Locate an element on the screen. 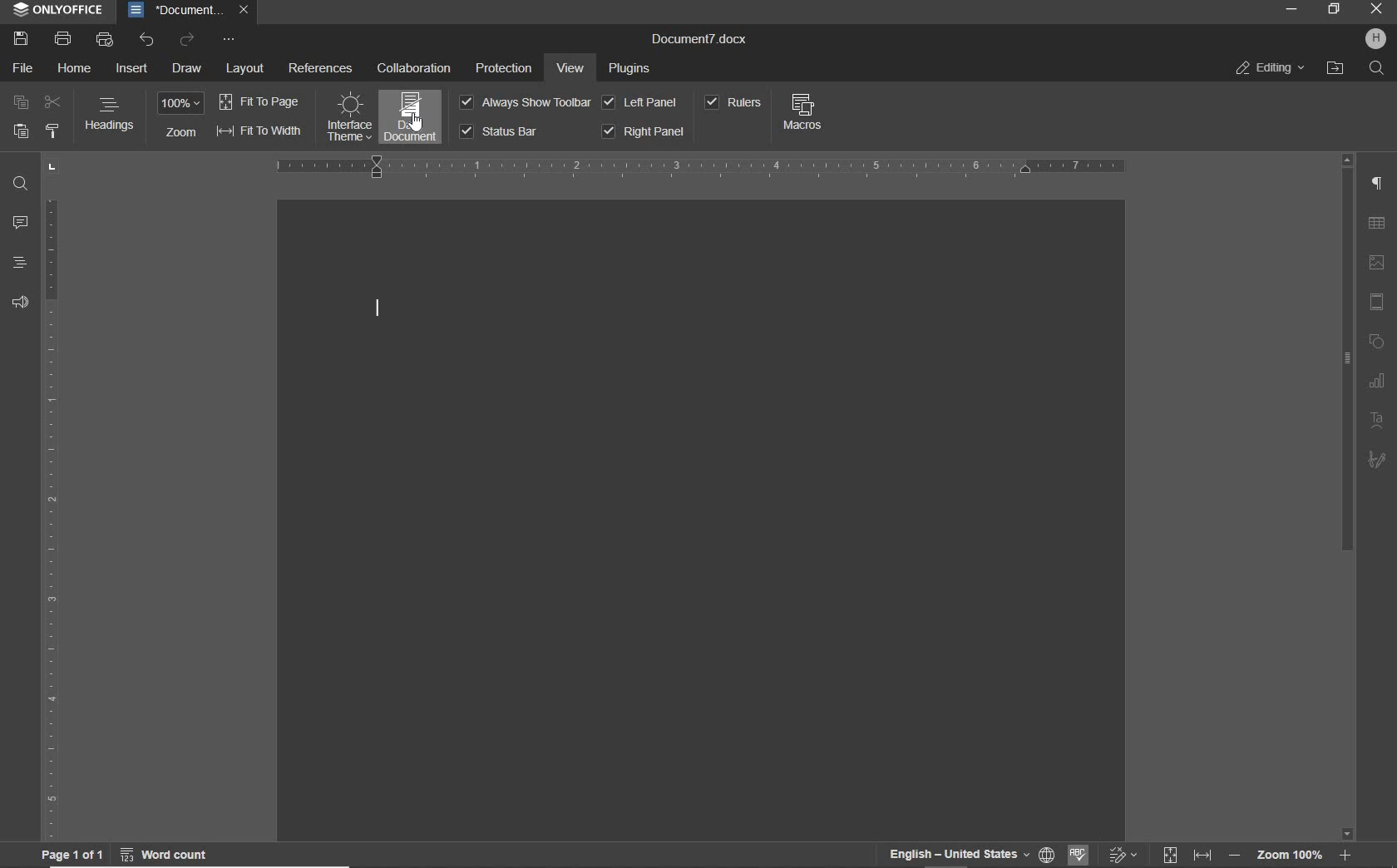 This screenshot has height=868, width=1397. SCROLLBAR is located at coordinates (1348, 496).